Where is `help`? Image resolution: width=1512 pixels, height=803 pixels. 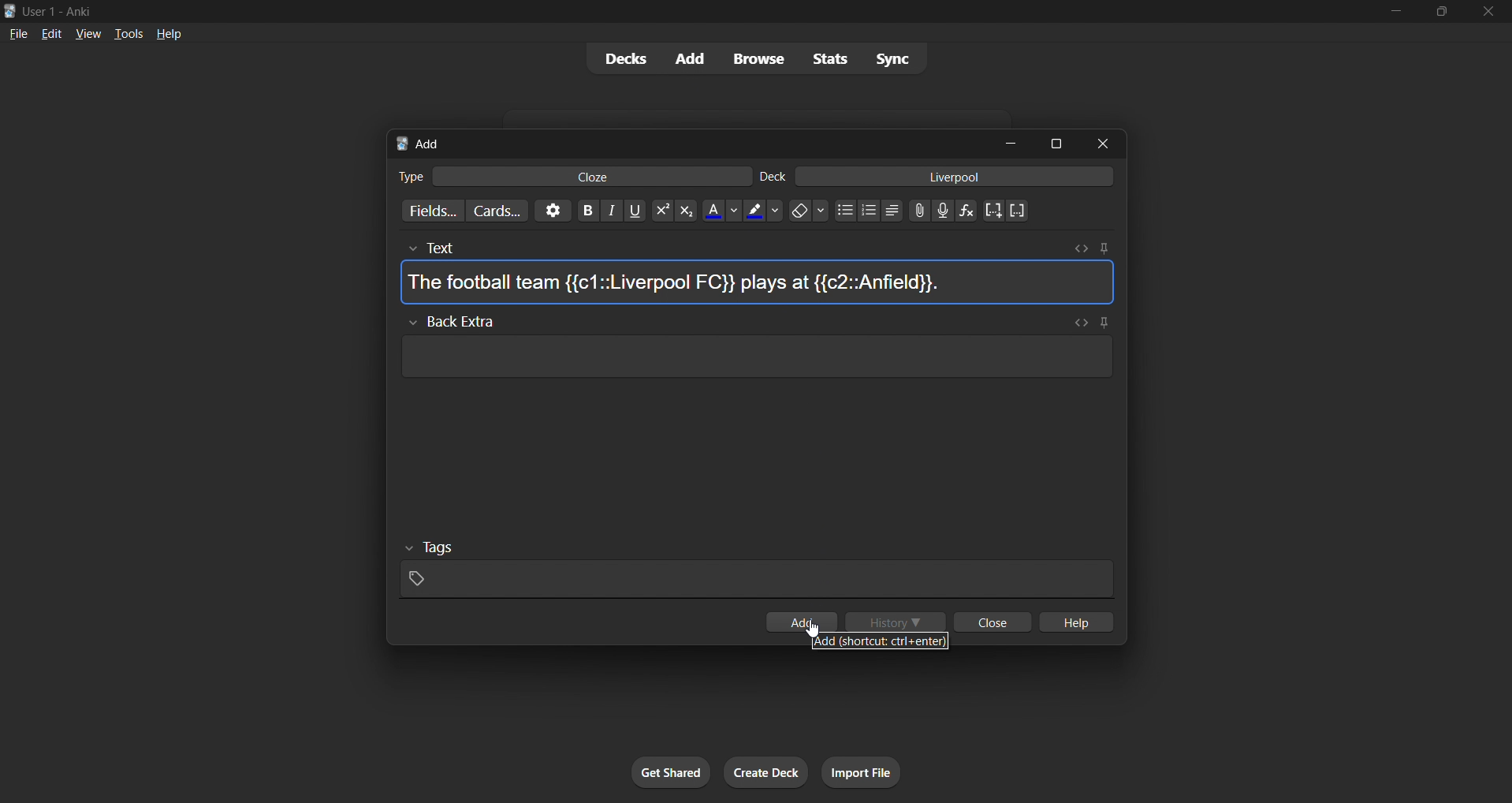
help is located at coordinates (172, 37).